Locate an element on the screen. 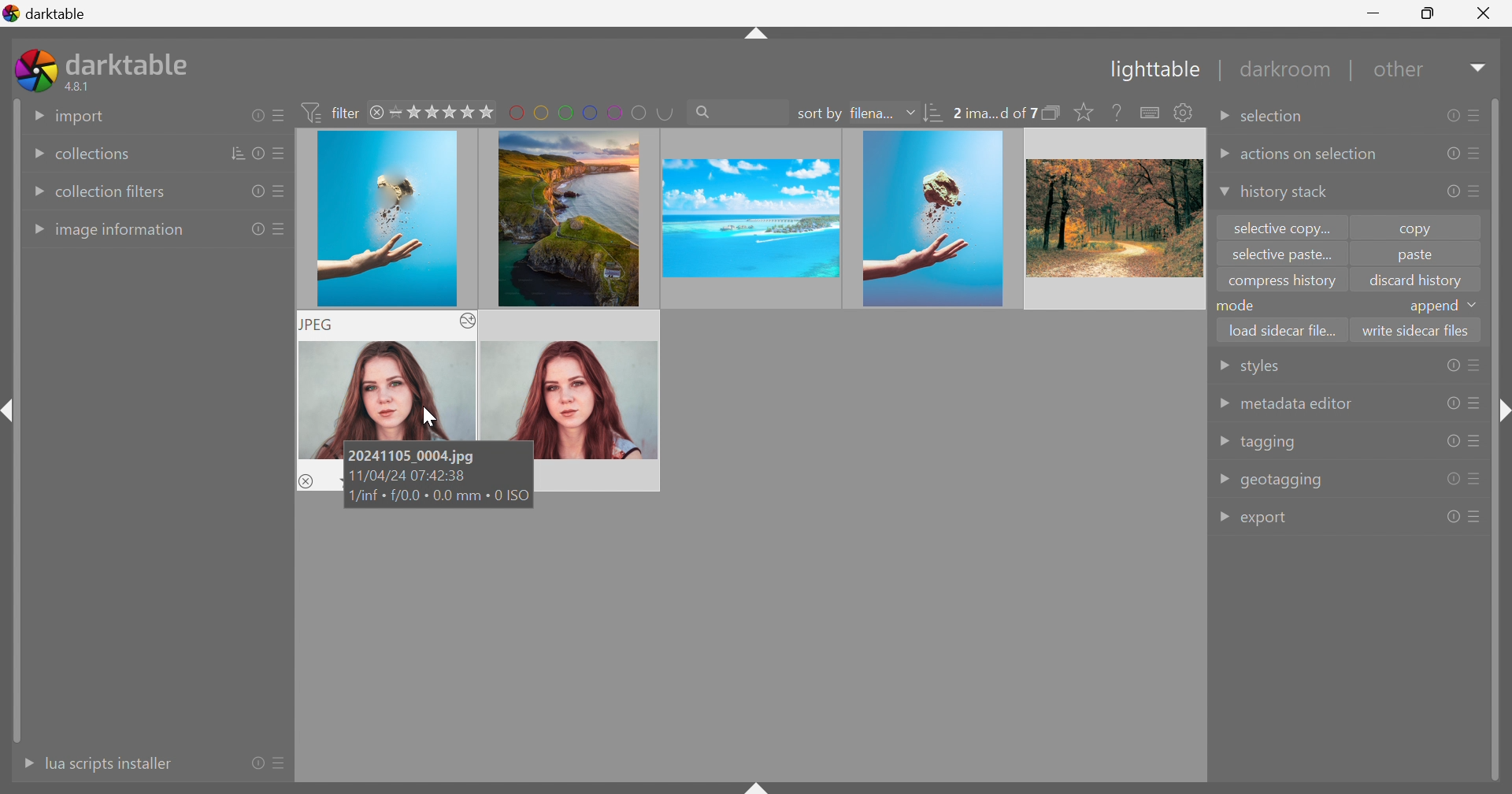 The height and width of the screenshot is (794, 1512). 4.8.1 is located at coordinates (83, 87).